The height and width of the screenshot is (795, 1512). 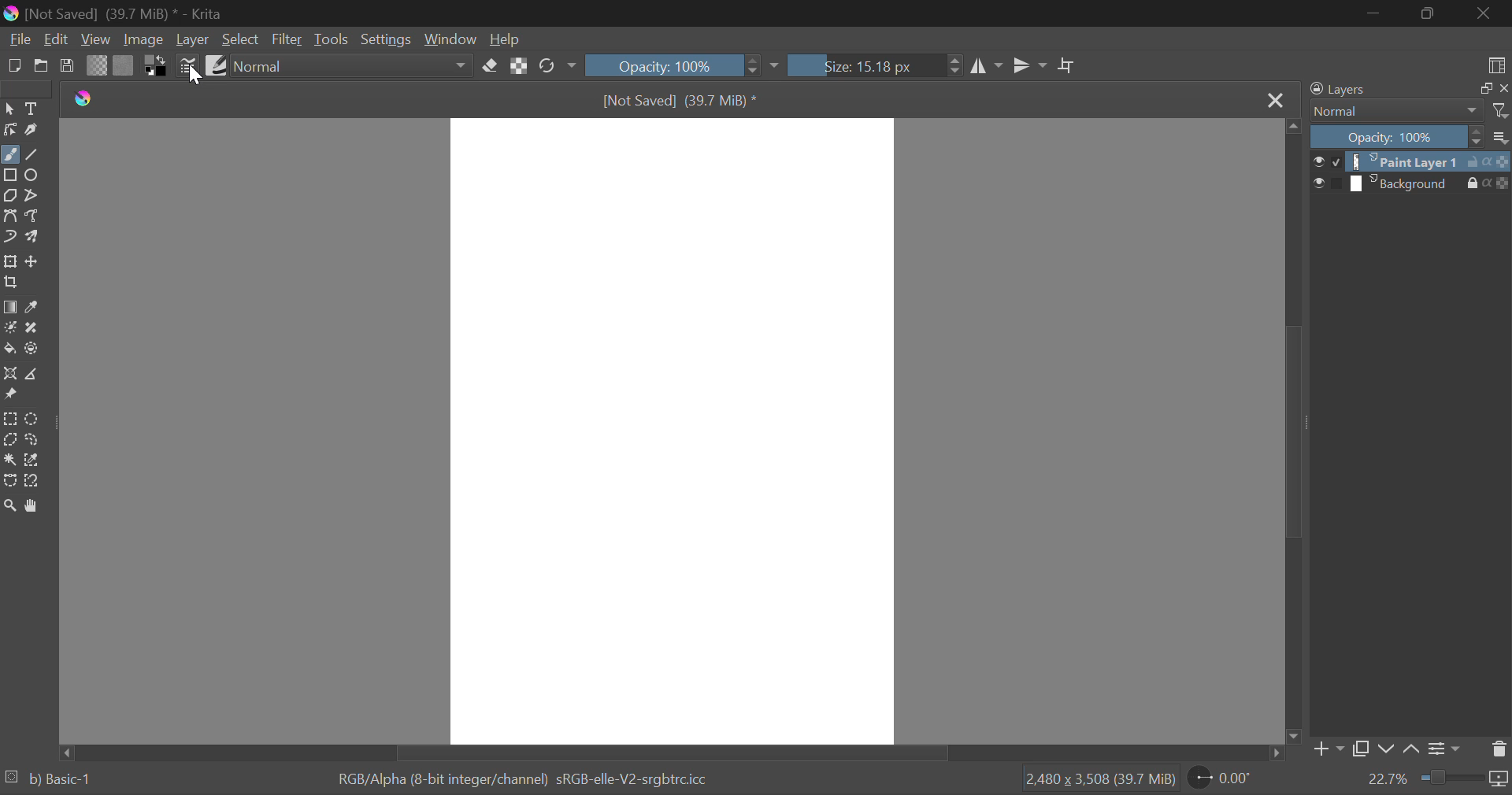 What do you see at coordinates (9, 109) in the screenshot?
I see `Select` at bounding box center [9, 109].